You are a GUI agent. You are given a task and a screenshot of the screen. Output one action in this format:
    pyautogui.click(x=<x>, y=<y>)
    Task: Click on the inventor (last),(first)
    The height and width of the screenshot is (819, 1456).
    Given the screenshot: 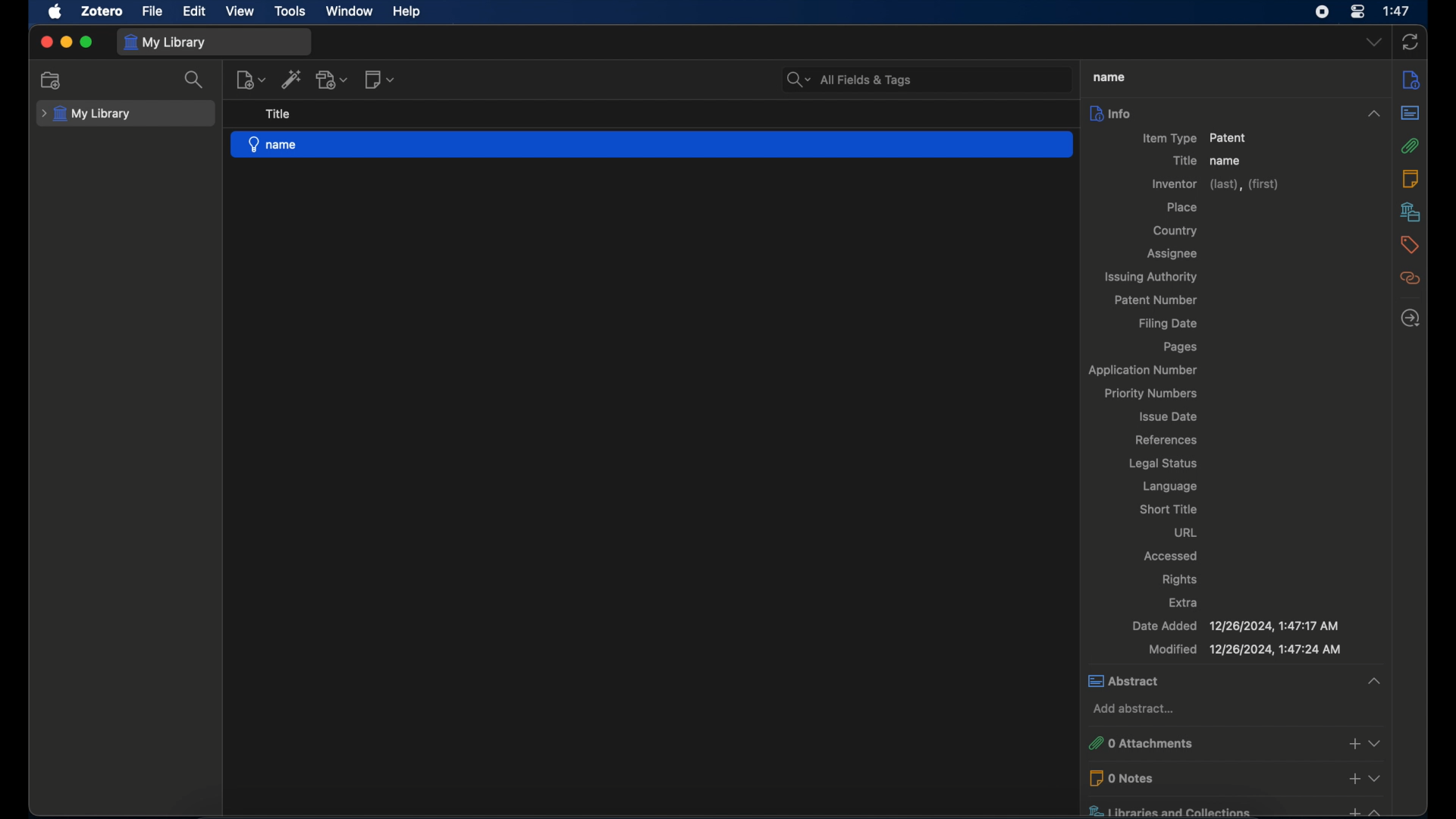 What is the action you would take?
    pyautogui.click(x=1215, y=184)
    